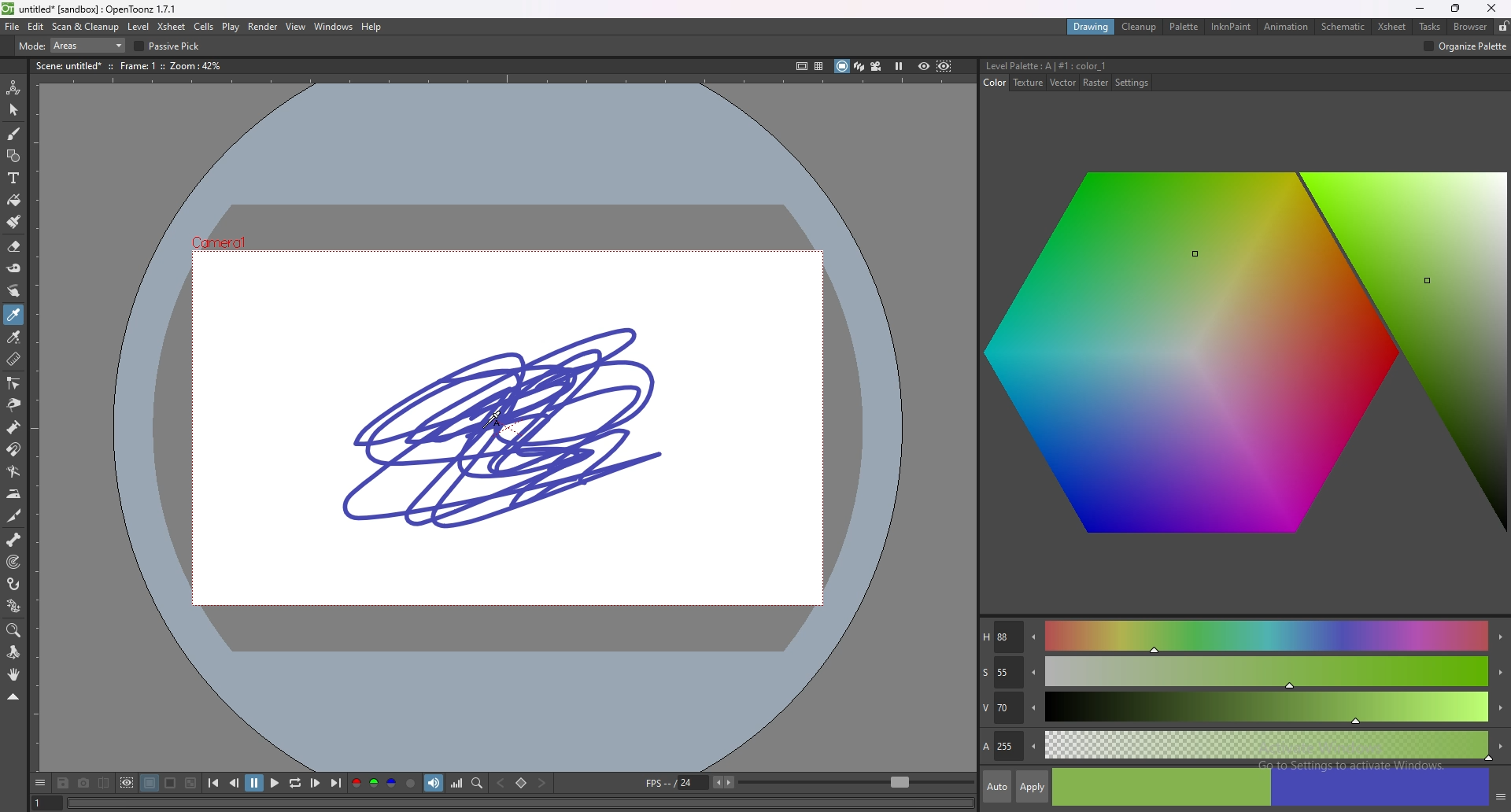 The width and height of the screenshot is (1511, 812). I want to click on auto, so click(997, 787).